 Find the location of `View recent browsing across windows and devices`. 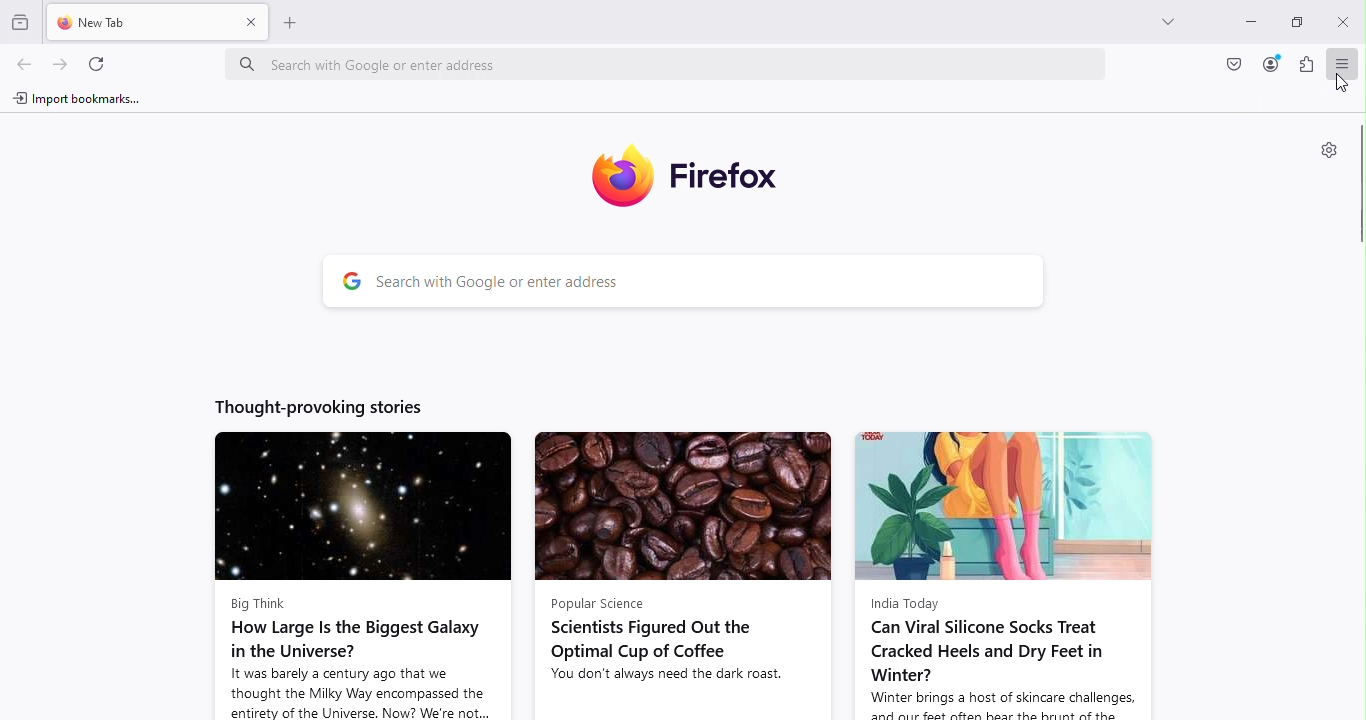

View recent browsing across windows and devices is located at coordinates (21, 24).